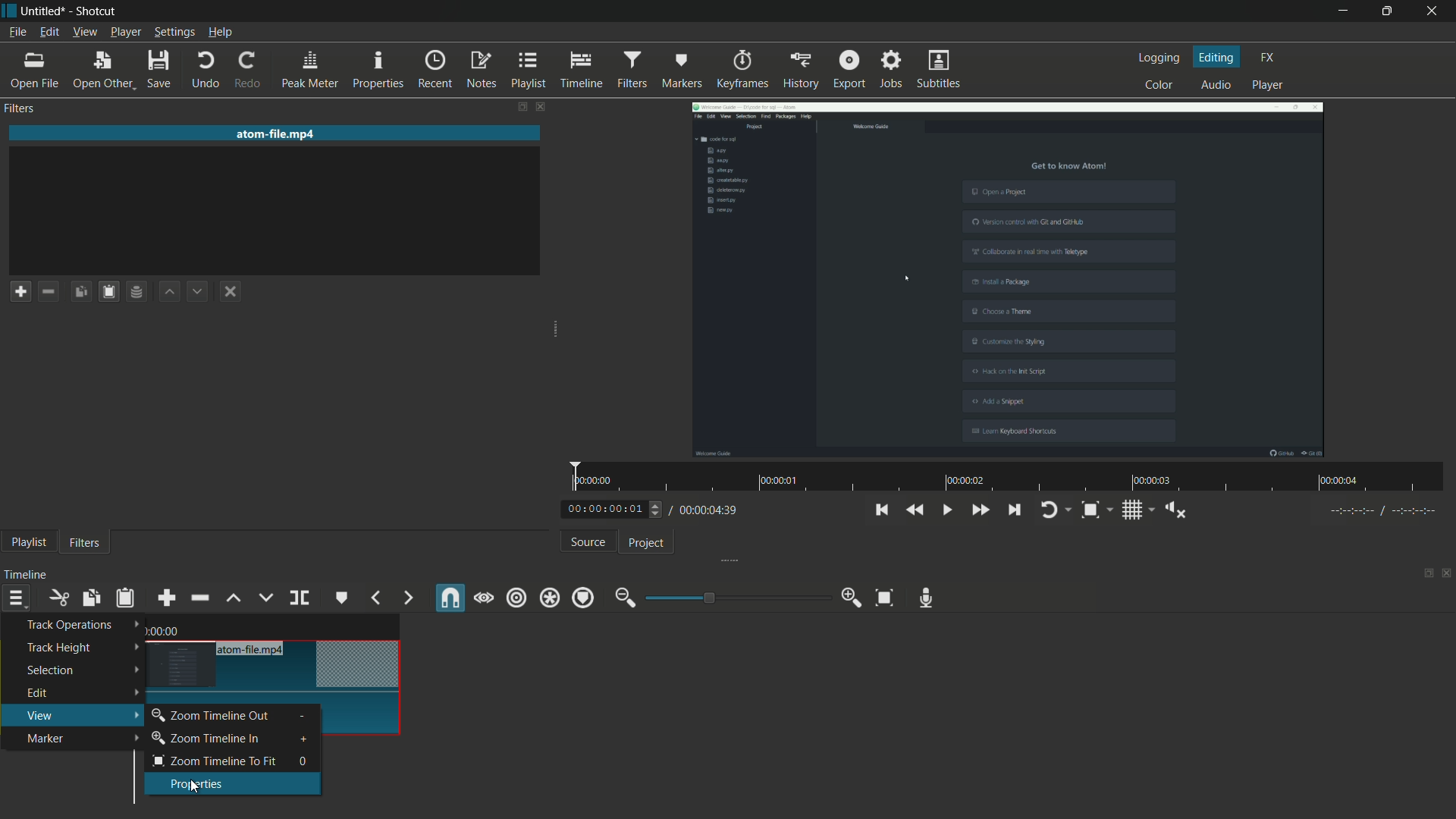 The image size is (1456, 819). What do you see at coordinates (108, 291) in the screenshot?
I see `paste filters` at bounding box center [108, 291].